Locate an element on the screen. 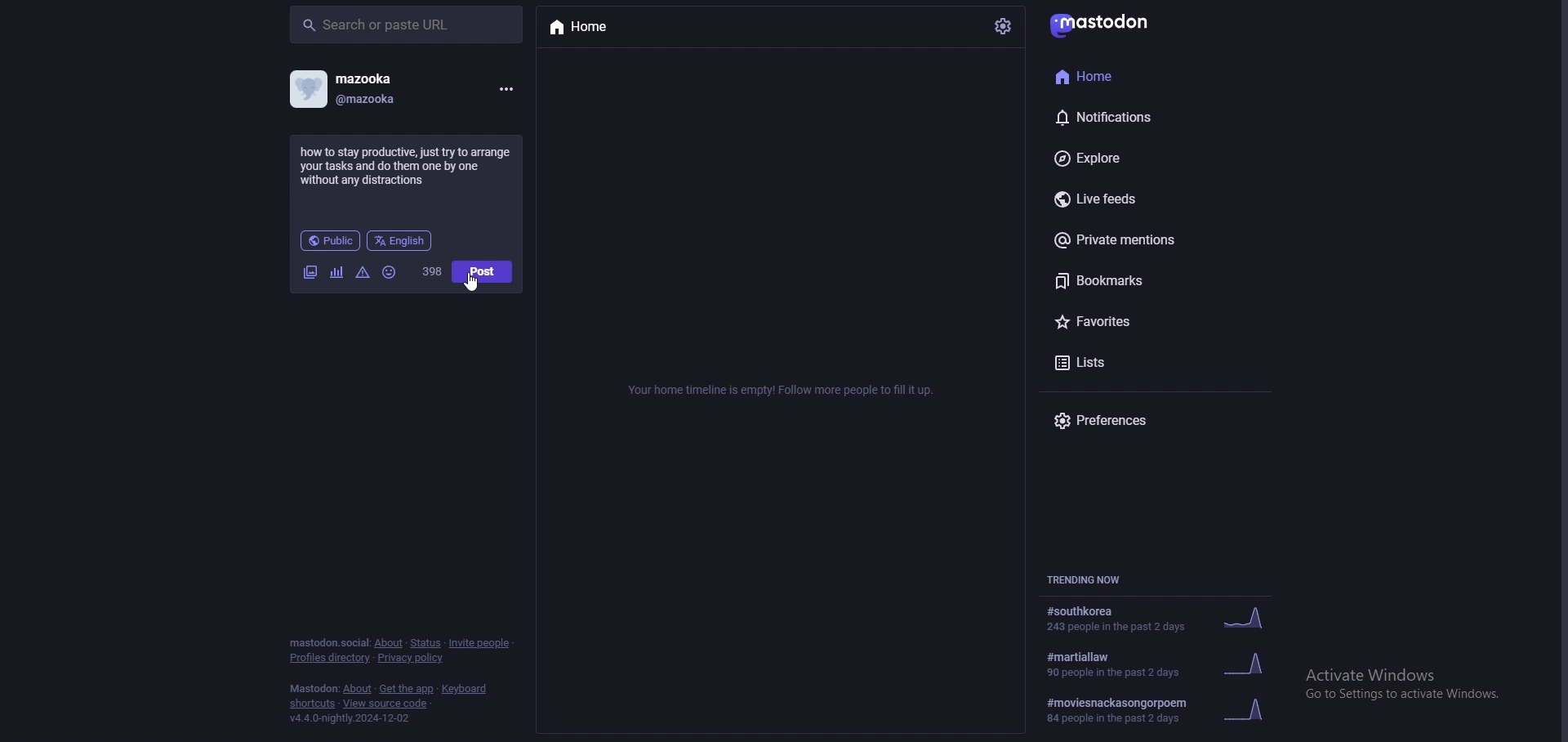 The image size is (1568, 742). invite people is located at coordinates (482, 644).